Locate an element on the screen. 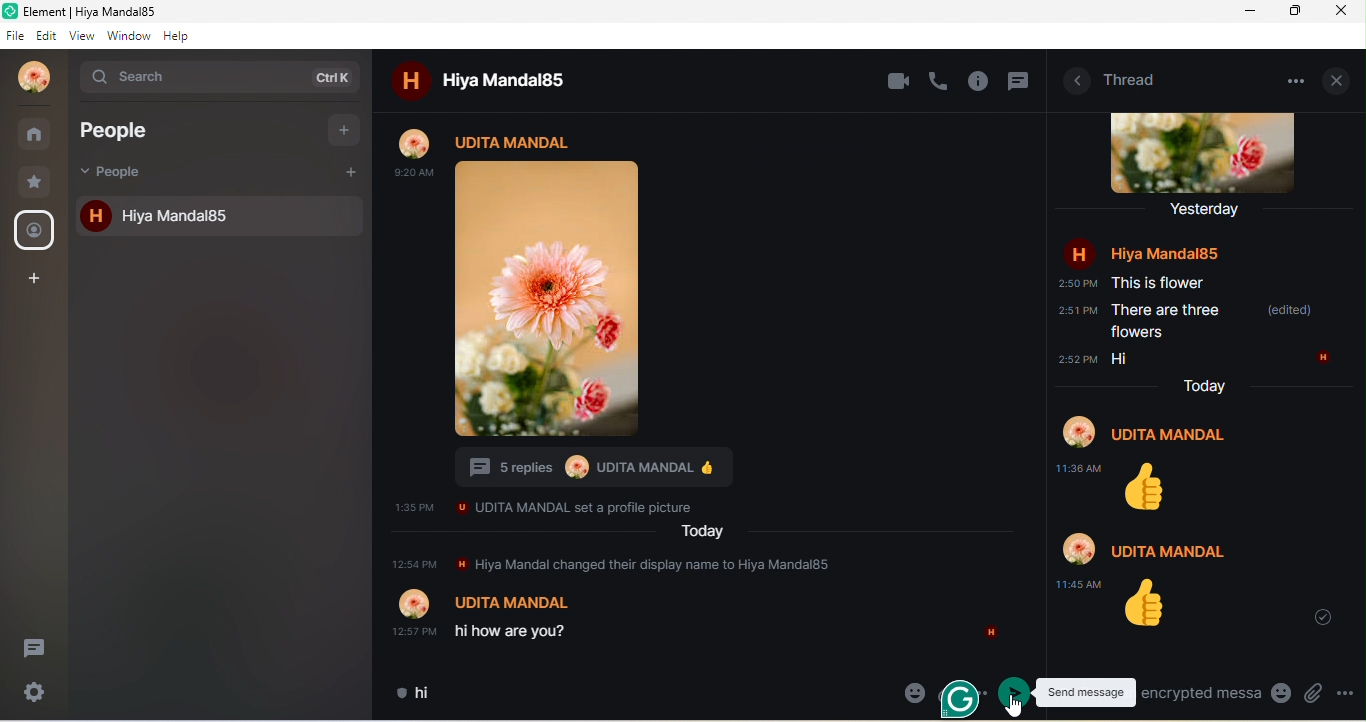  pin is located at coordinates (880, 144).